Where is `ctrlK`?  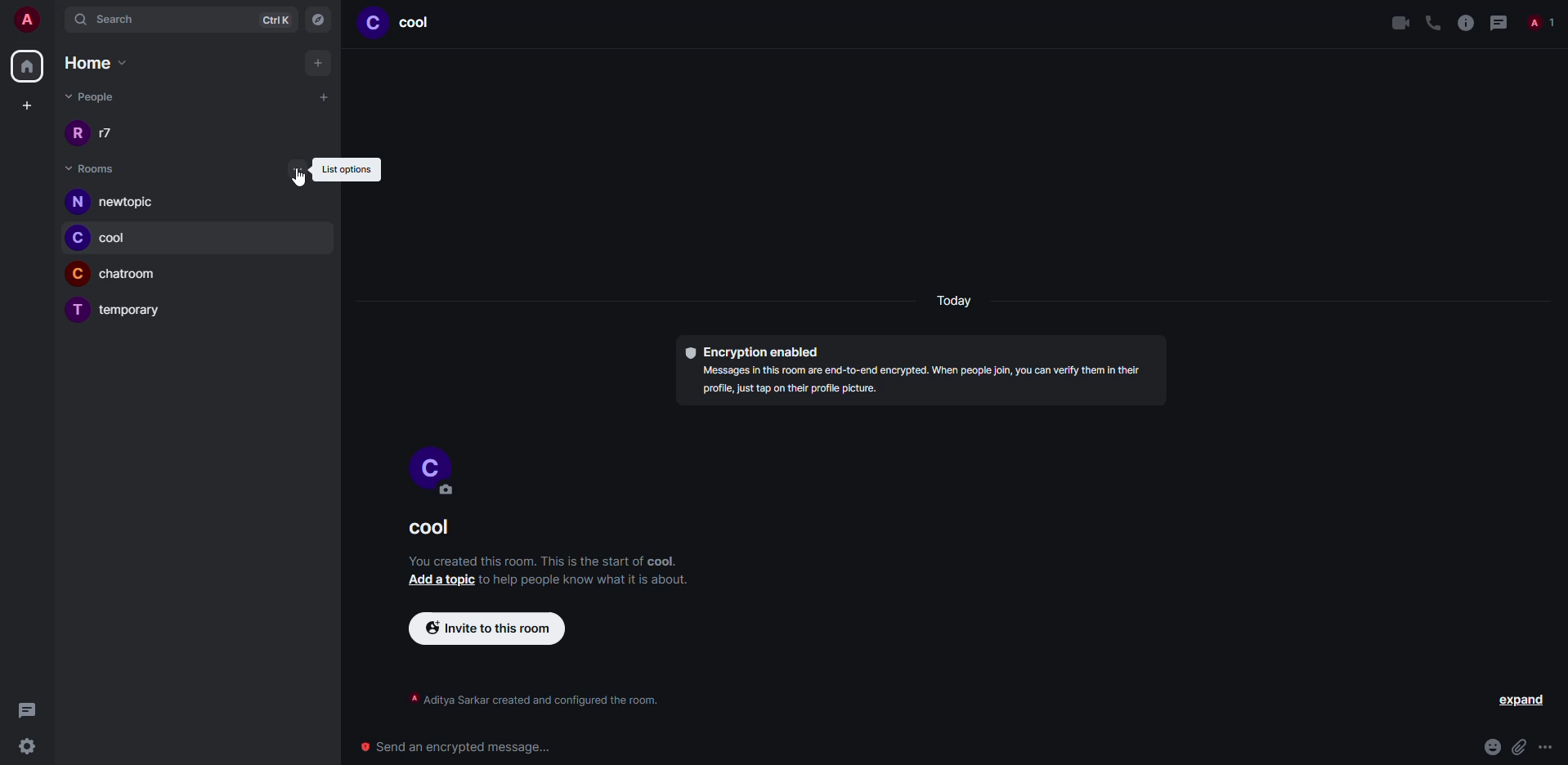 ctrlK is located at coordinates (271, 20).